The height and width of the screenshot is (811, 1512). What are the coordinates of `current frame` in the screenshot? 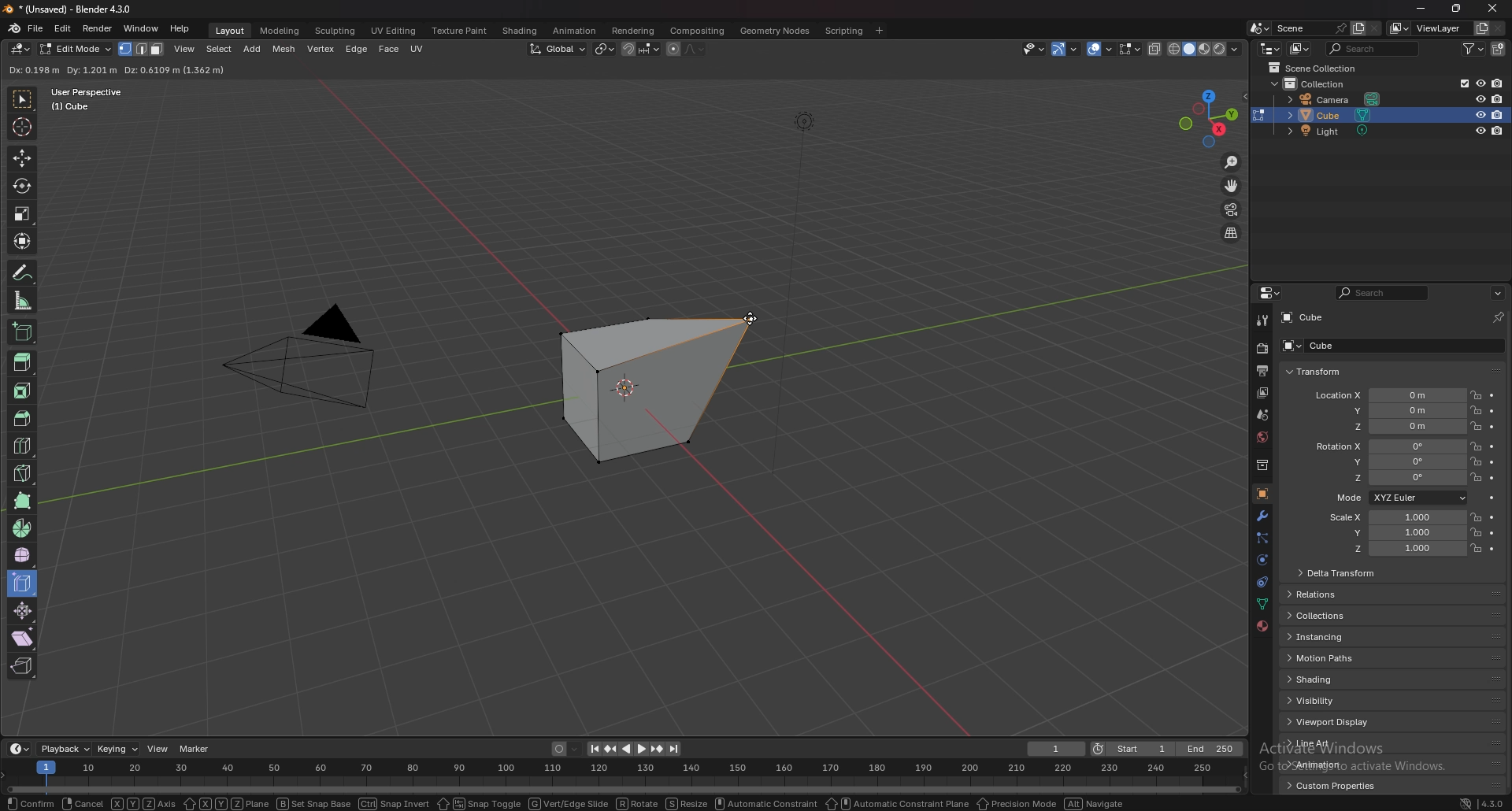 It's located at (1055, 749).